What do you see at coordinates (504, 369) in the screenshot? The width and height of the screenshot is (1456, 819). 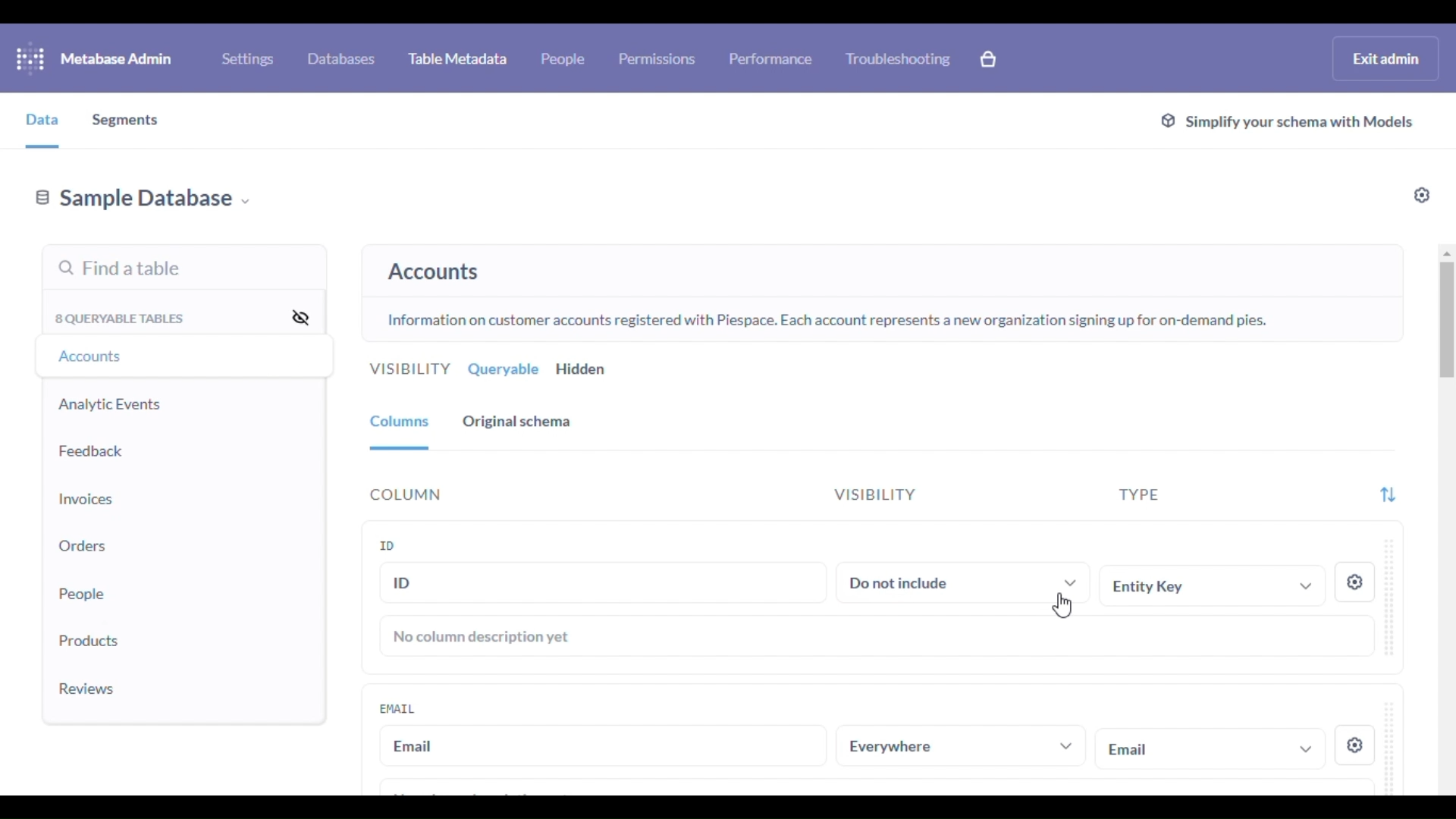 I see `queryable` at bounding box center [504, 369].